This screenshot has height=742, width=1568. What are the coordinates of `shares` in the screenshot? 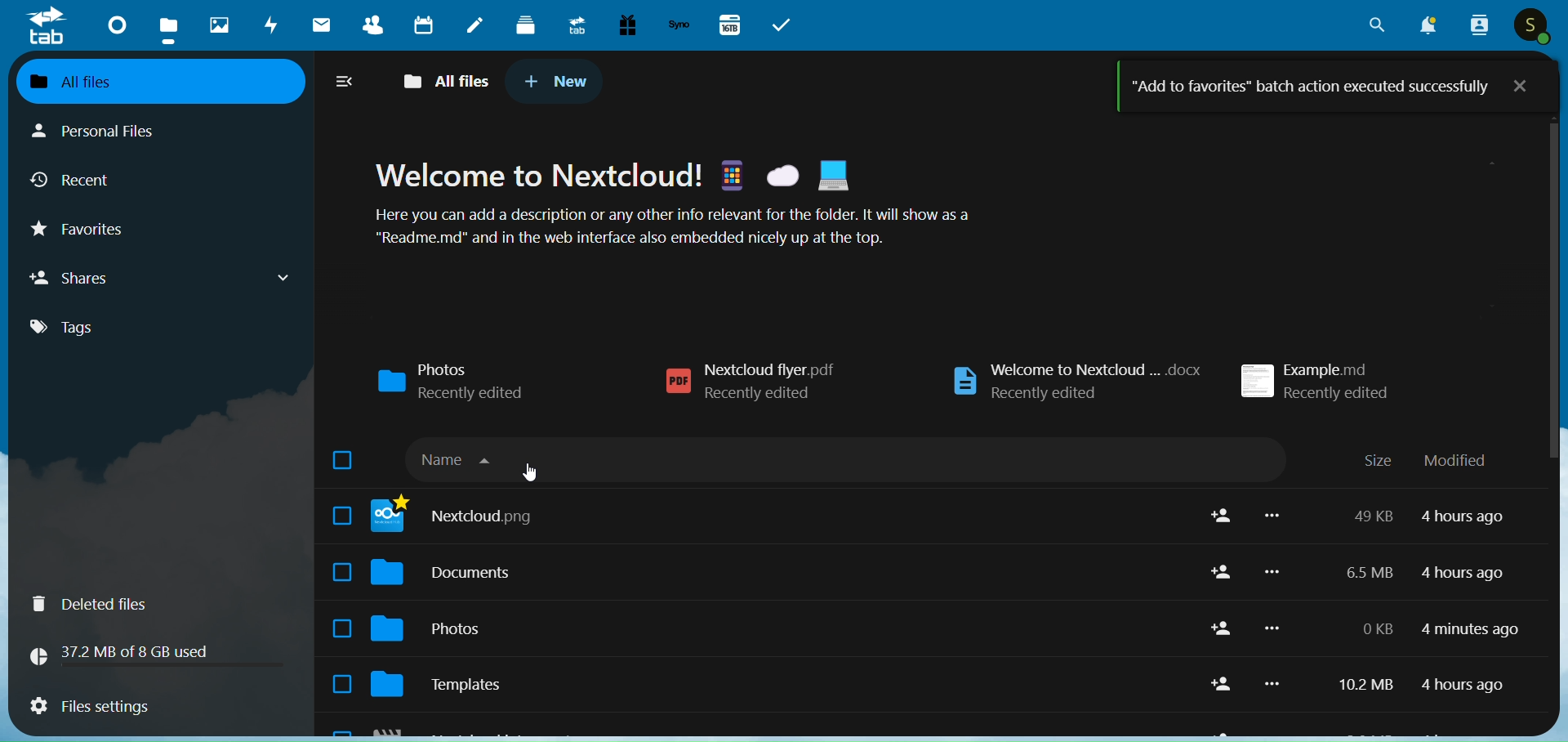 It's located at (165, 278).